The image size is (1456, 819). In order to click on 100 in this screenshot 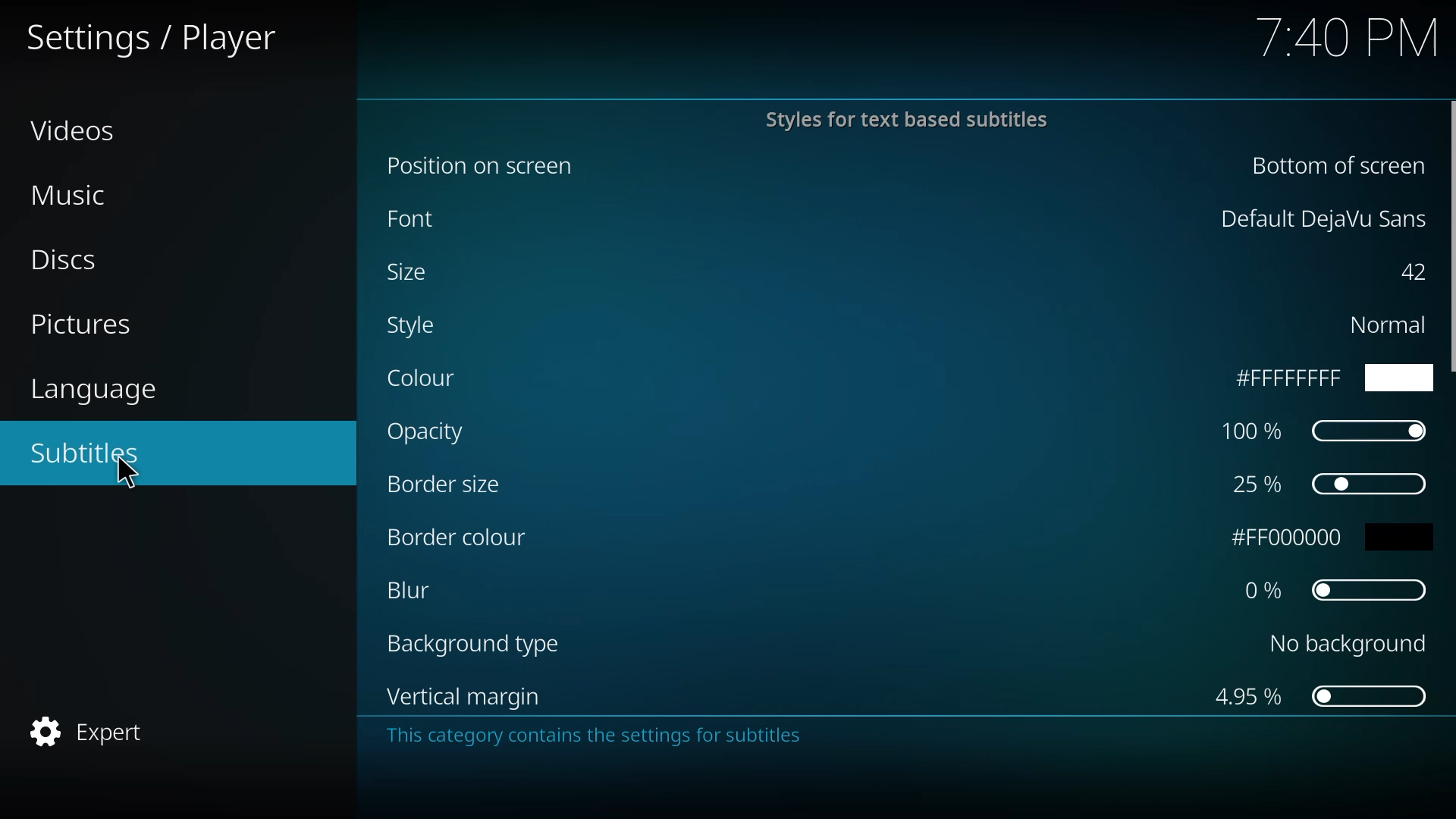, I will do `click(1322, 429)`.